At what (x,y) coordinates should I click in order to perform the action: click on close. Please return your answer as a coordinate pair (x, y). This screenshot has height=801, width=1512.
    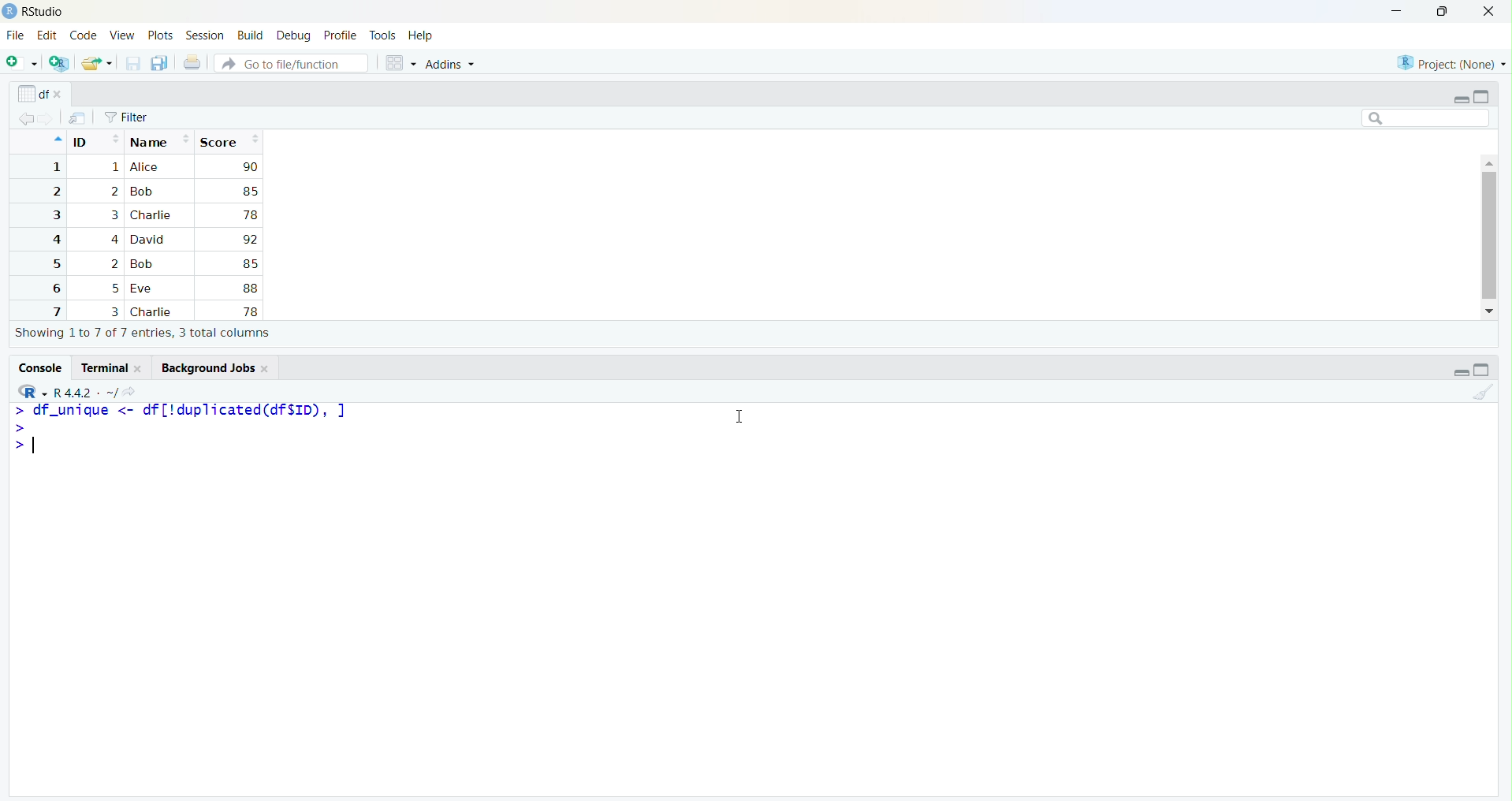
    Looking at the image, I should click on (61, 95).